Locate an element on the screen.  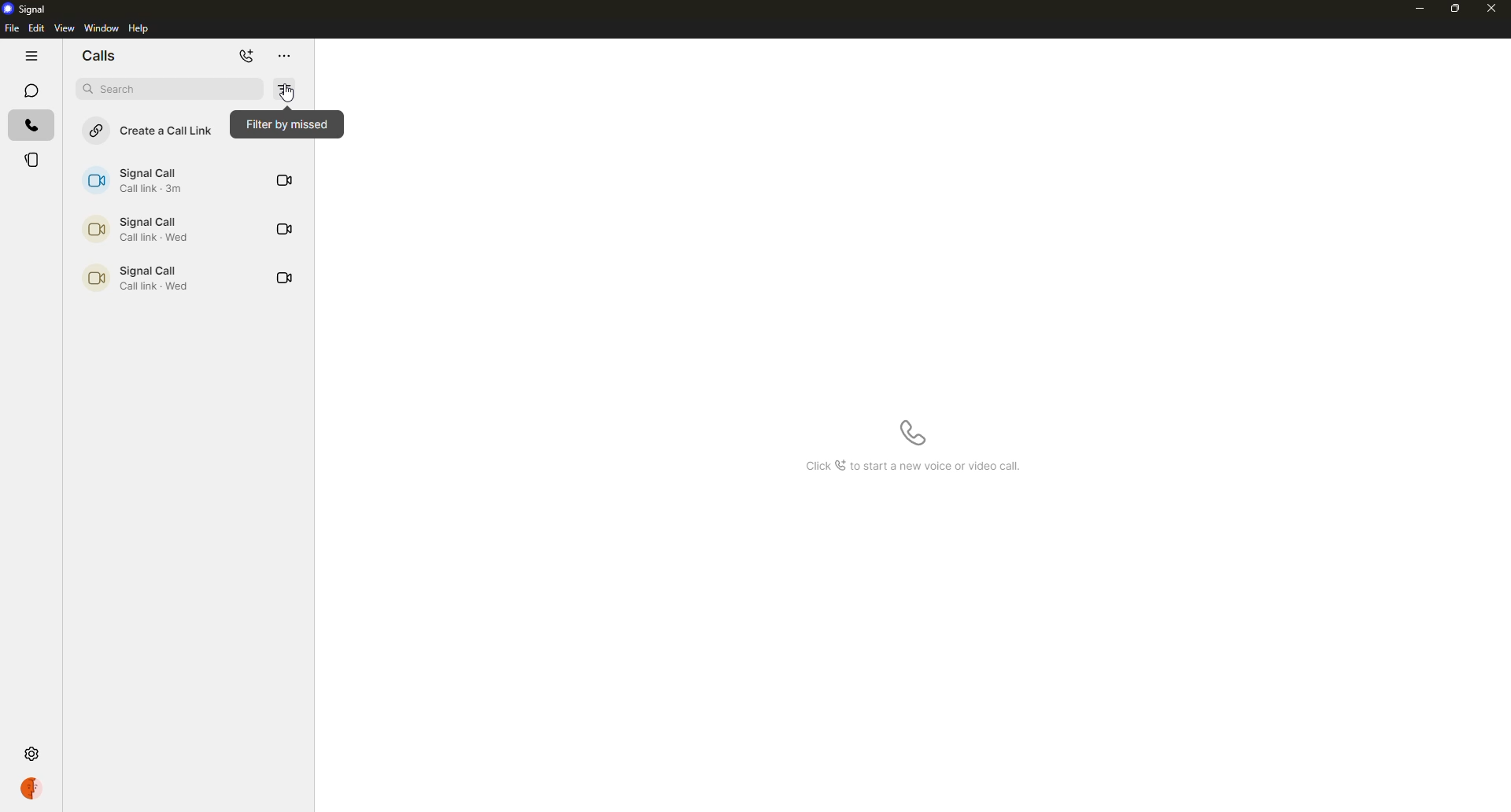
window is located at coordinates (102, 28).